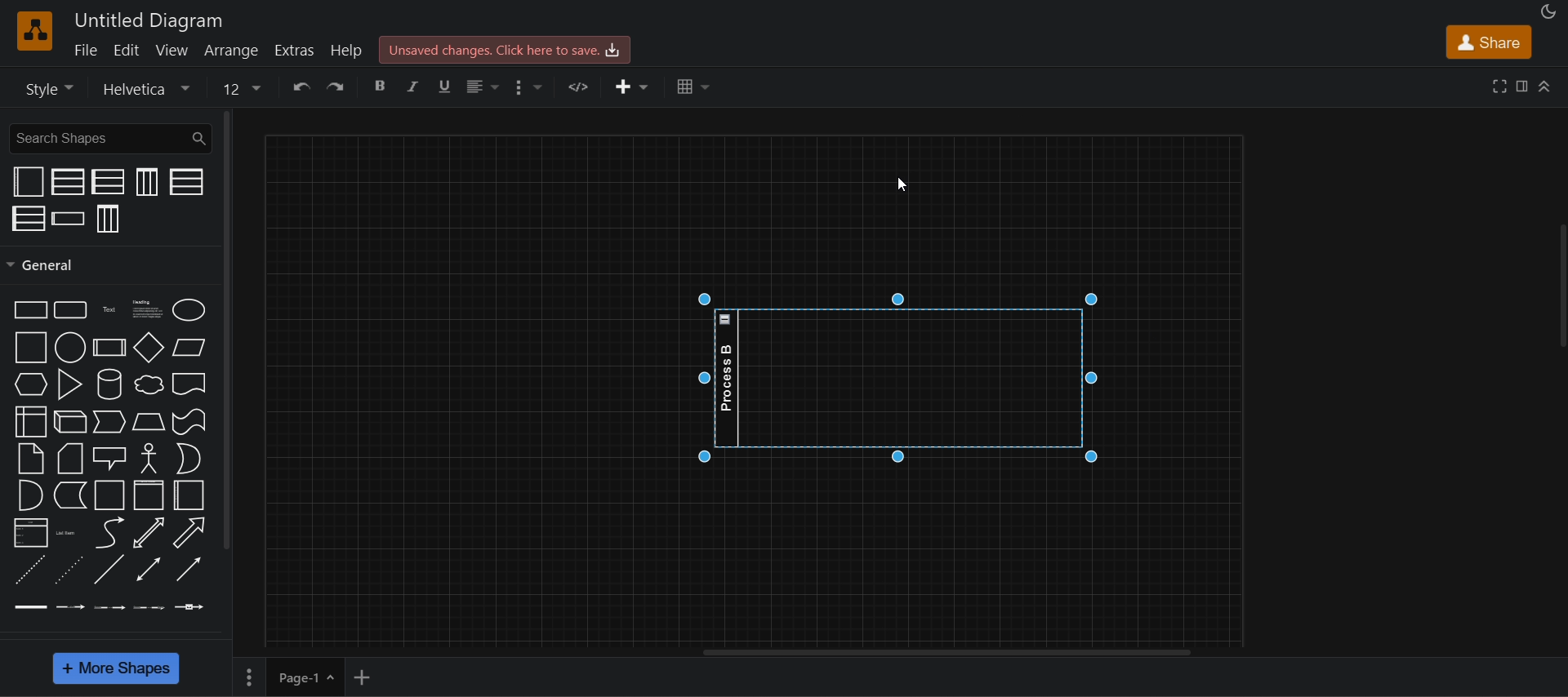 The height and width of the screenshot is (697, 1568). I want to click on format, so click(1522, 84).